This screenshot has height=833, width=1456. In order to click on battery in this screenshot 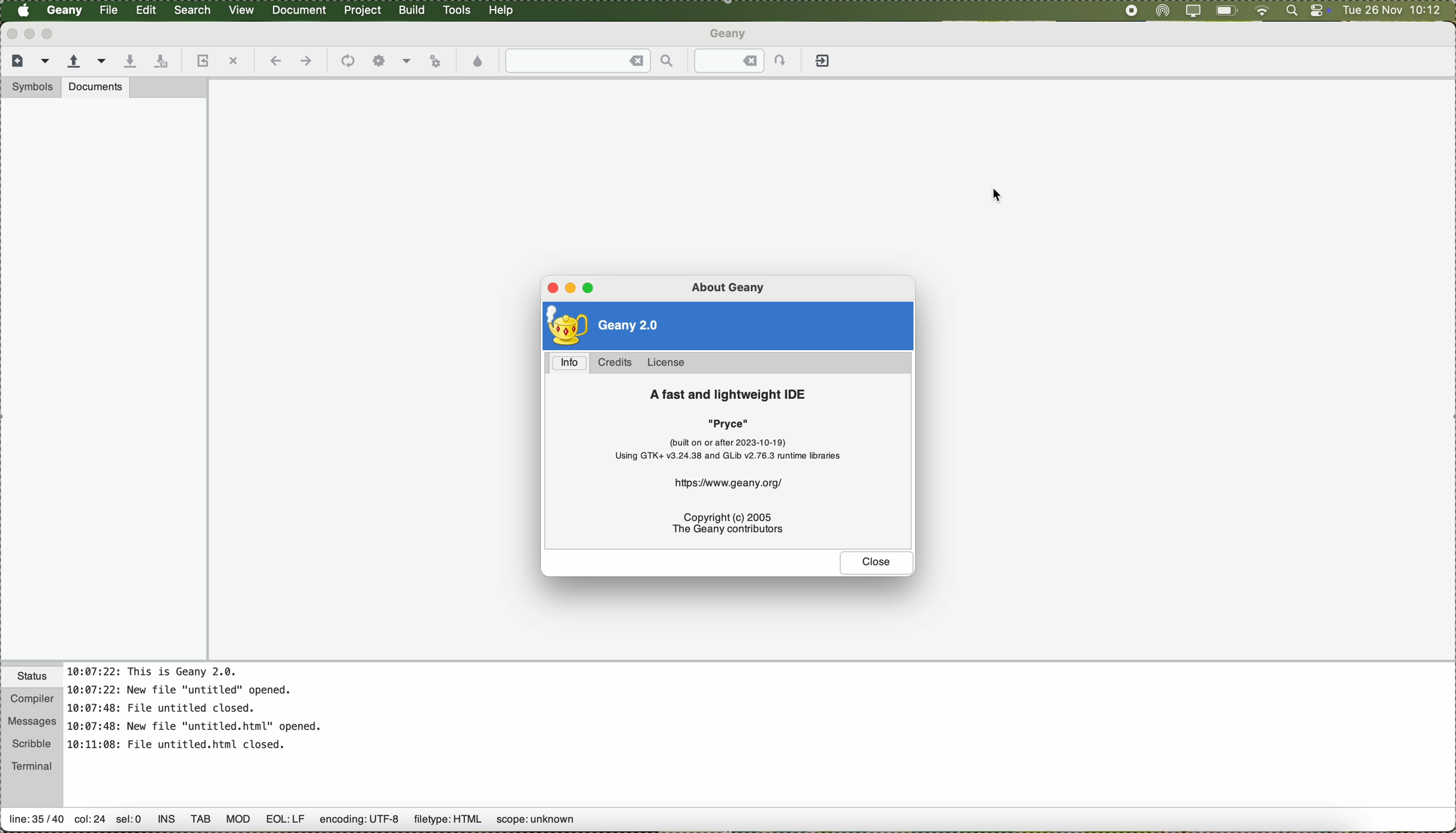, I will do `click(1227, 11)`.